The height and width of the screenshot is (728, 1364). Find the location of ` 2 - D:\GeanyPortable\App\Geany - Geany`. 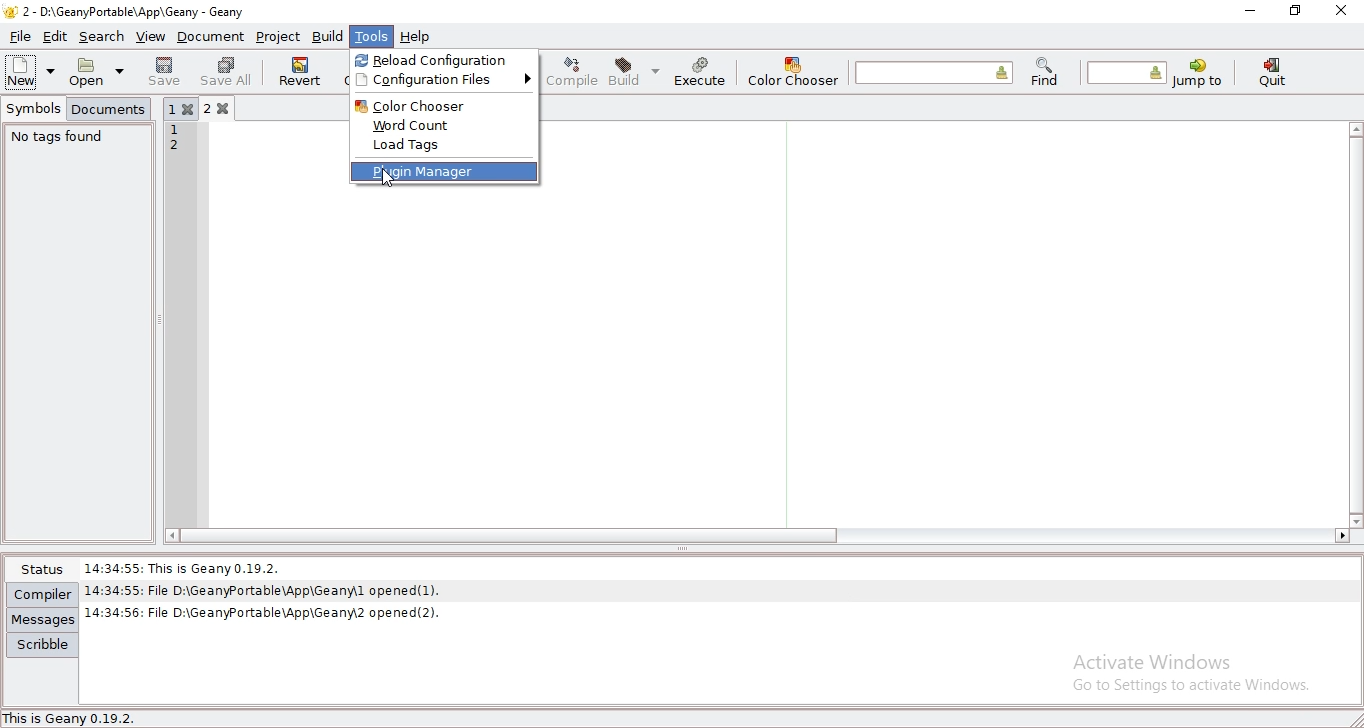

 2 - D:\GeanyPortable\App\Geany - Geany is located at coordinates (138, 11).